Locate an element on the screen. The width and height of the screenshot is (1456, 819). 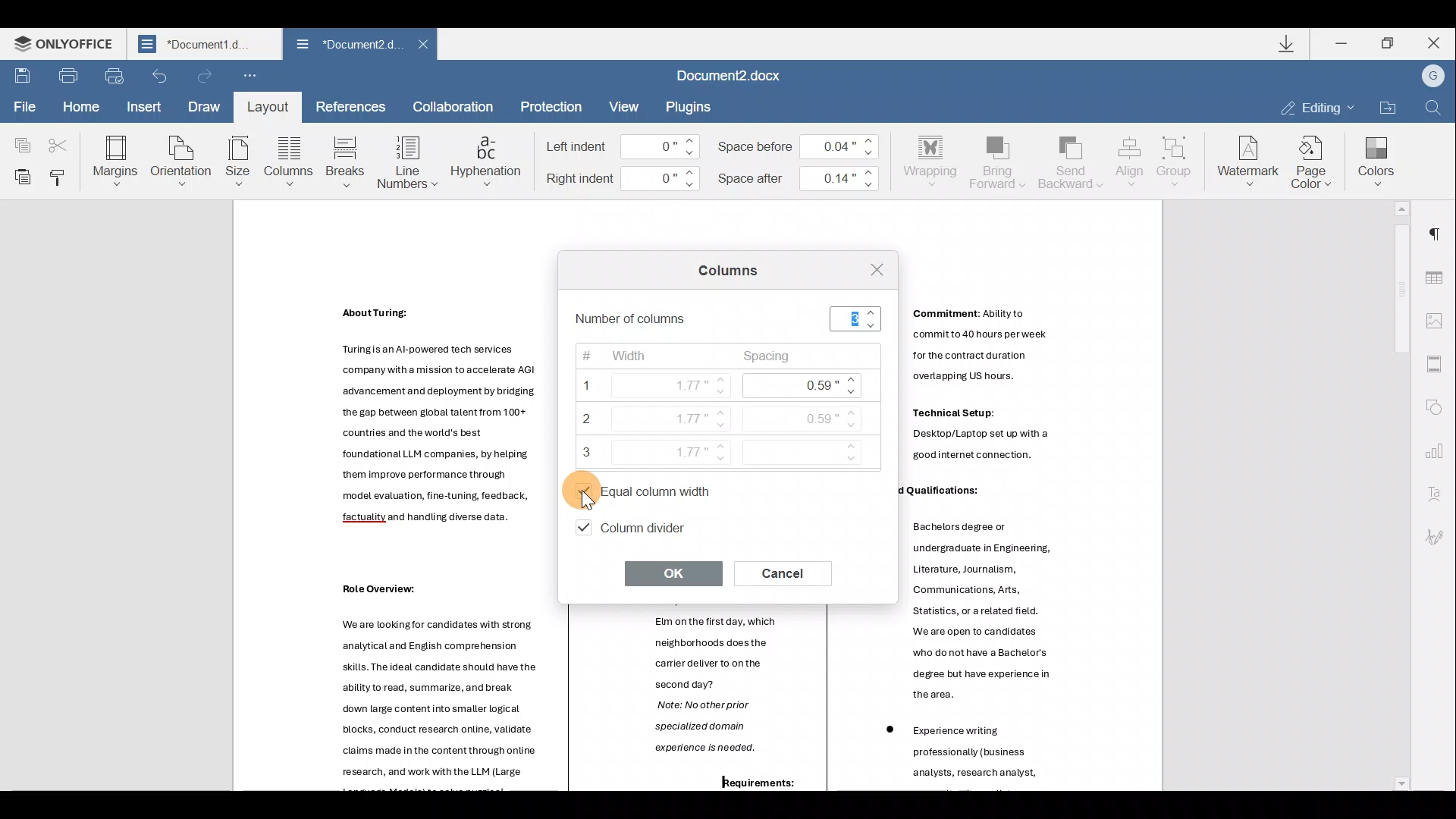
Protection is located at coordinates (546, 106).